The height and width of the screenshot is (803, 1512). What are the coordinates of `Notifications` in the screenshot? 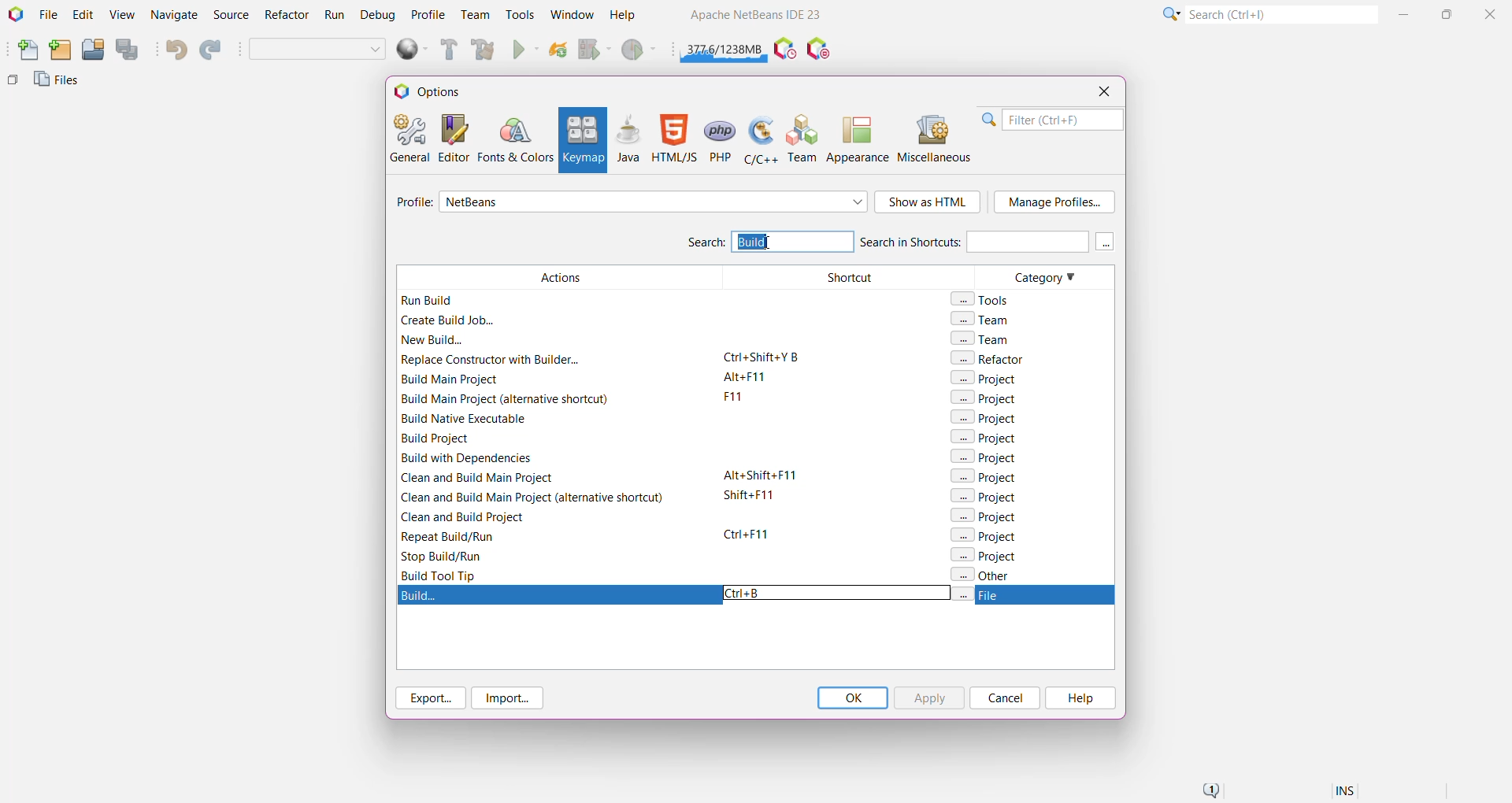 It's located at (1210, 791).